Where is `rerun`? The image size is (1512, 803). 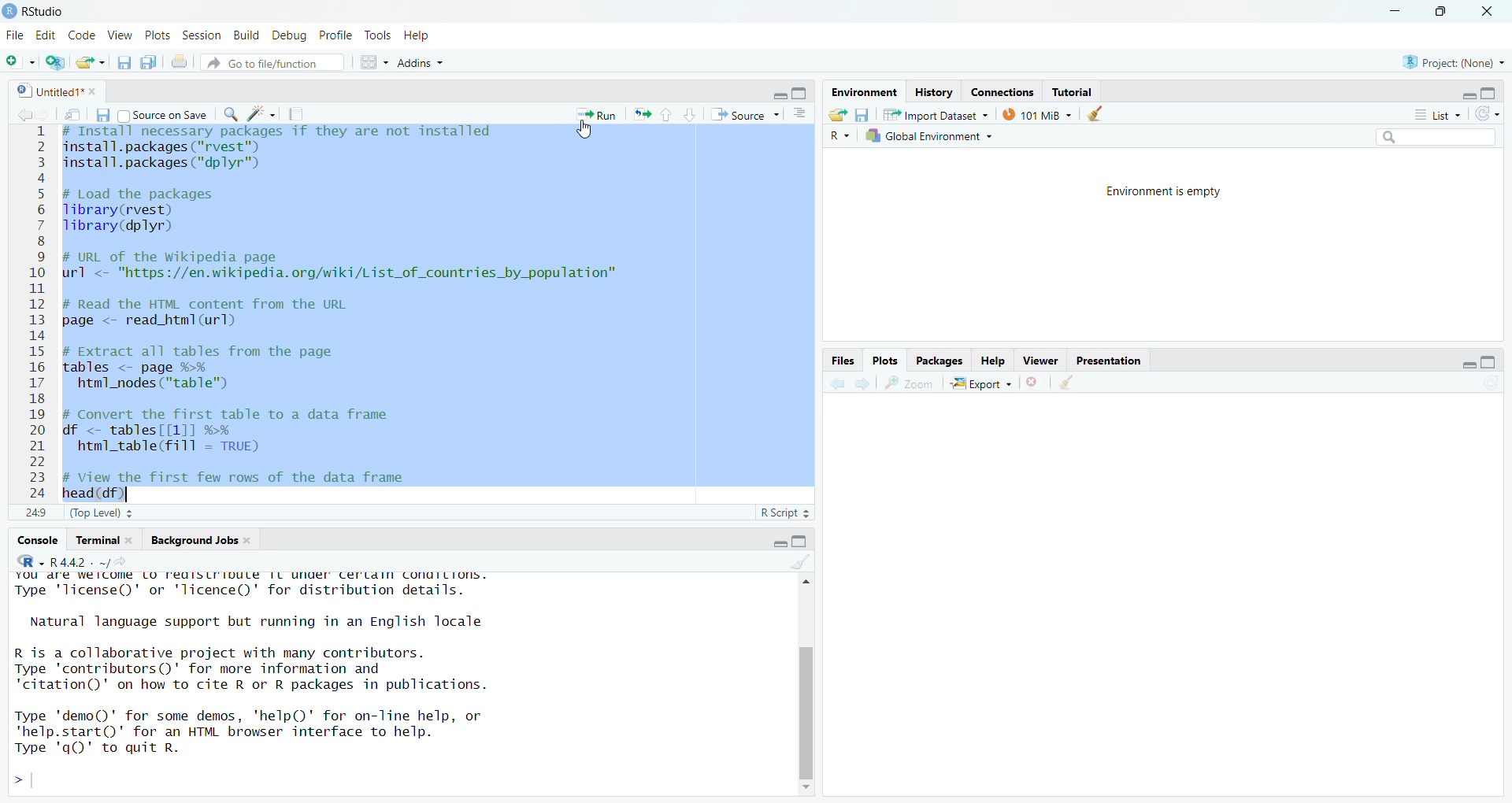
rerun is located at coordinates (642, 114).